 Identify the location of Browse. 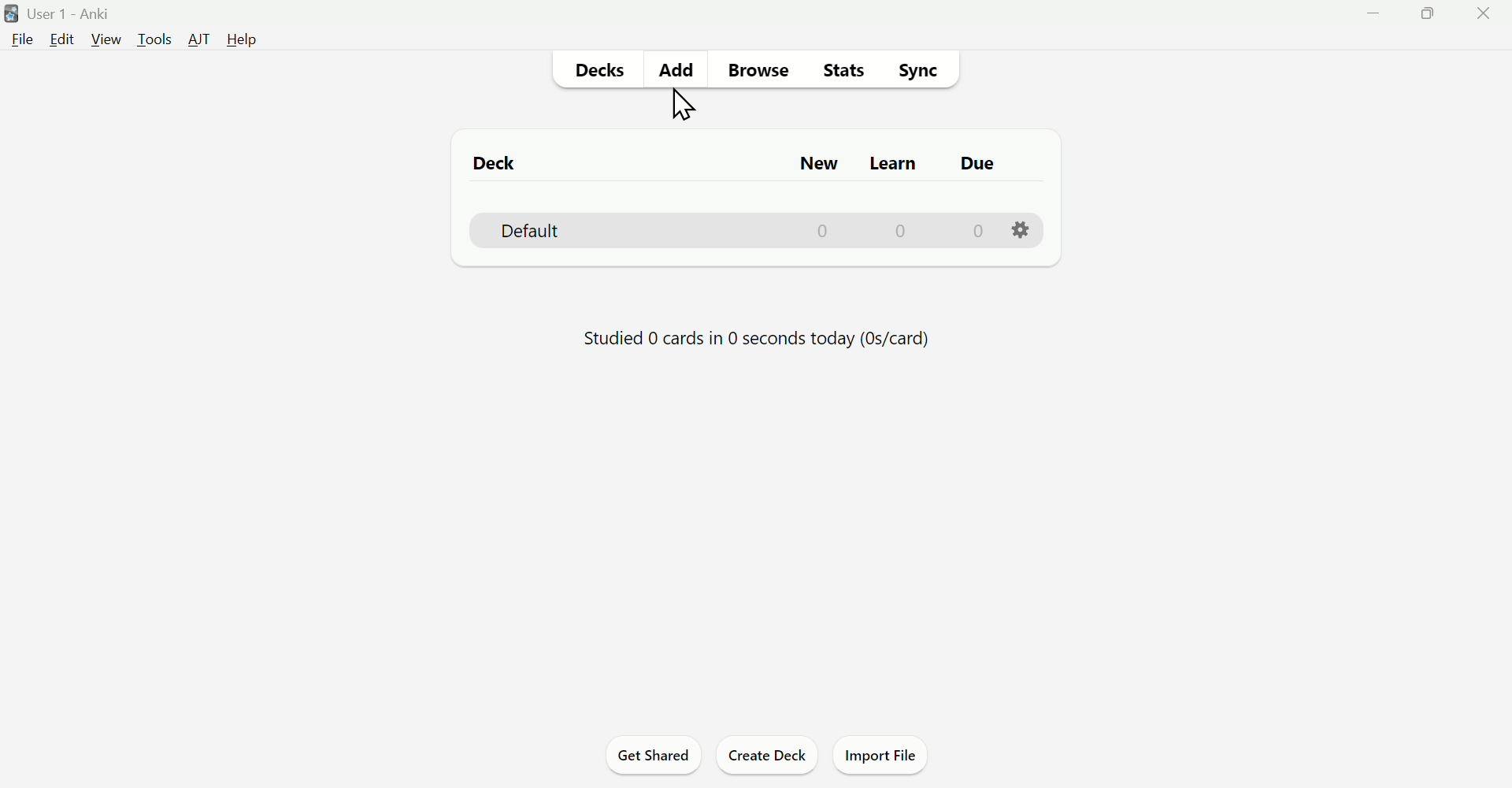
(757, 70).